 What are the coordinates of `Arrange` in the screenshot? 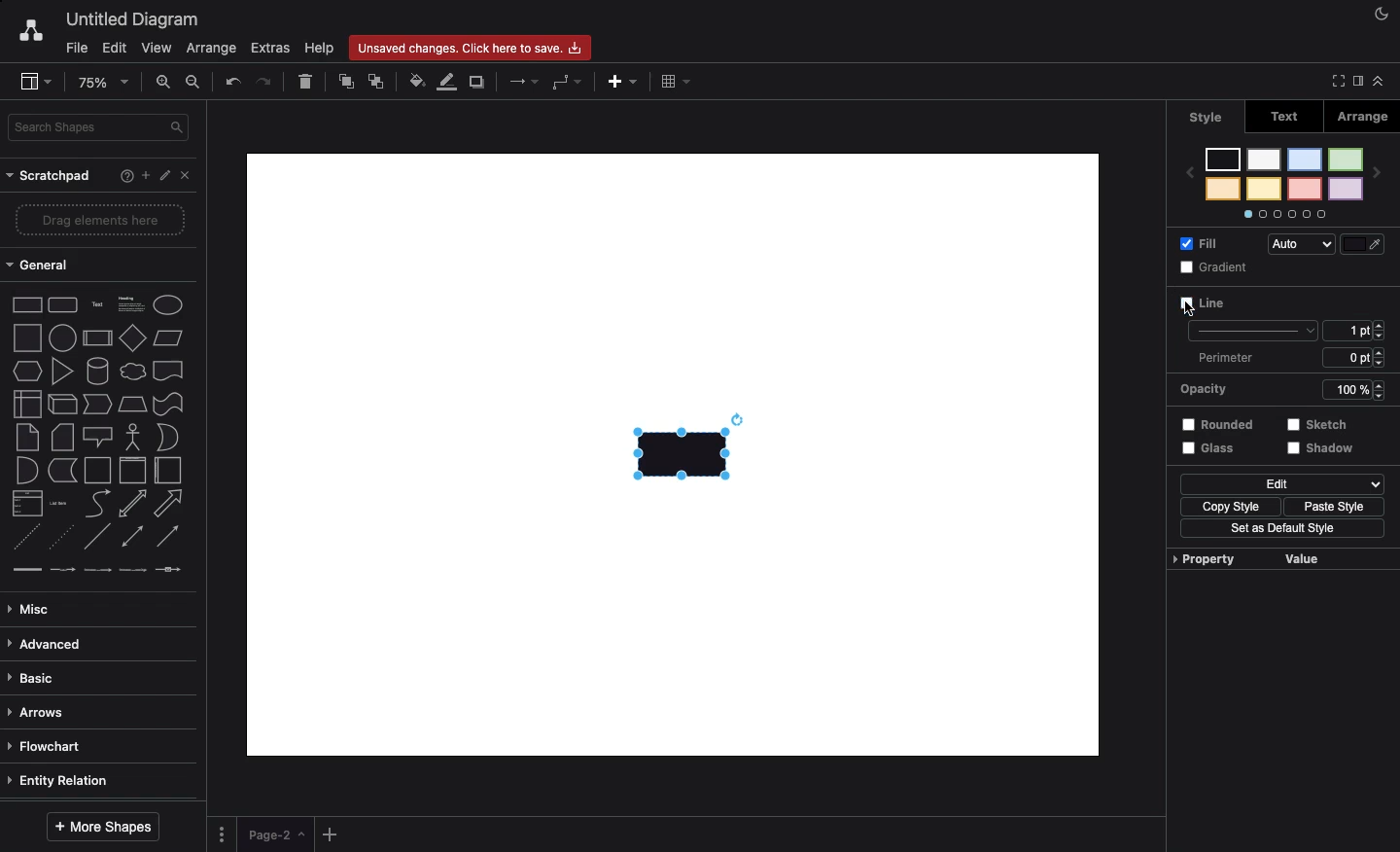 It's located at (1367, 120).